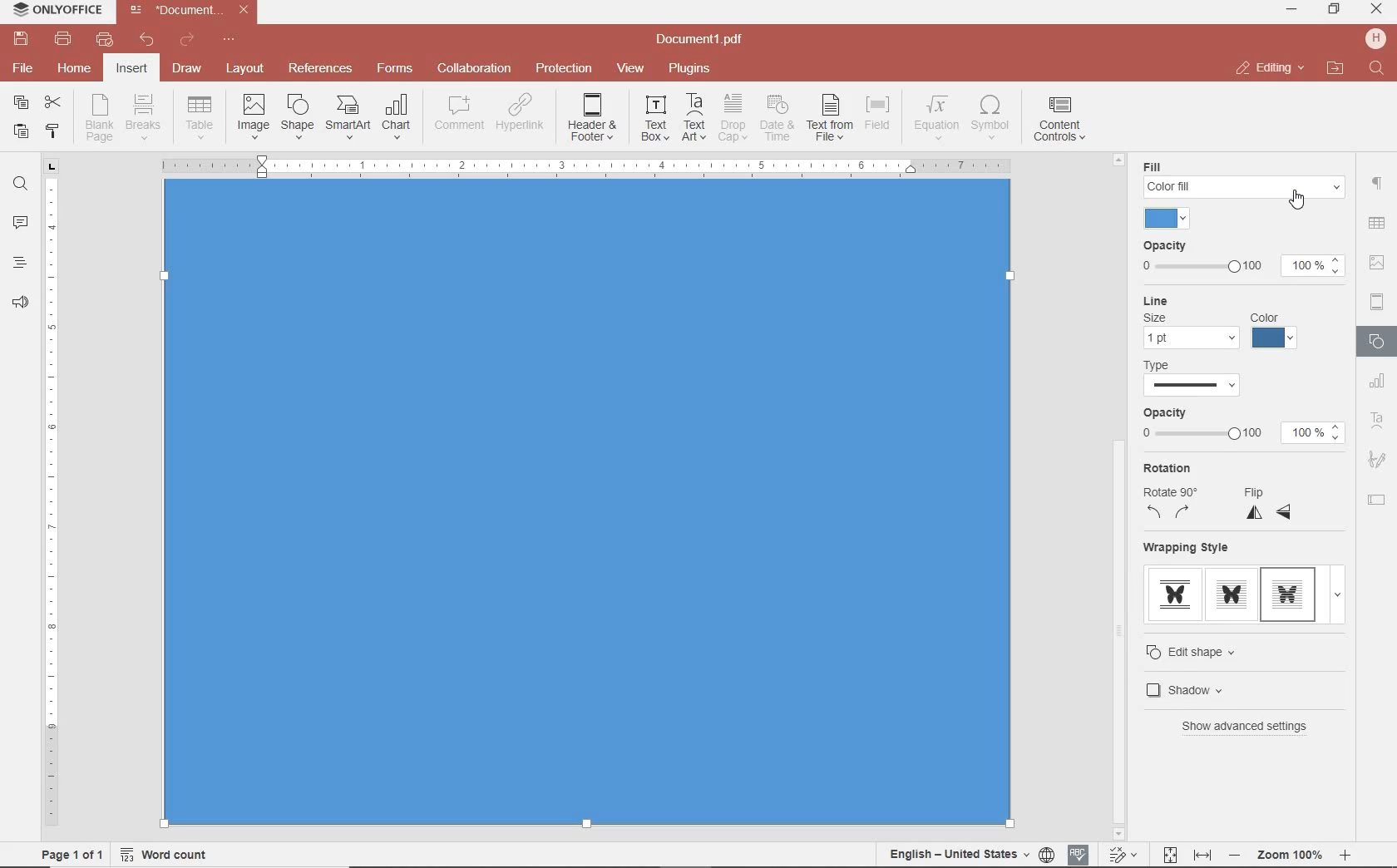 The height and width of the screenshot is (868, 1397). Describe the element at coordinates (254, 116) in the screenshot. I see `INSERT IMAGES` at that location.